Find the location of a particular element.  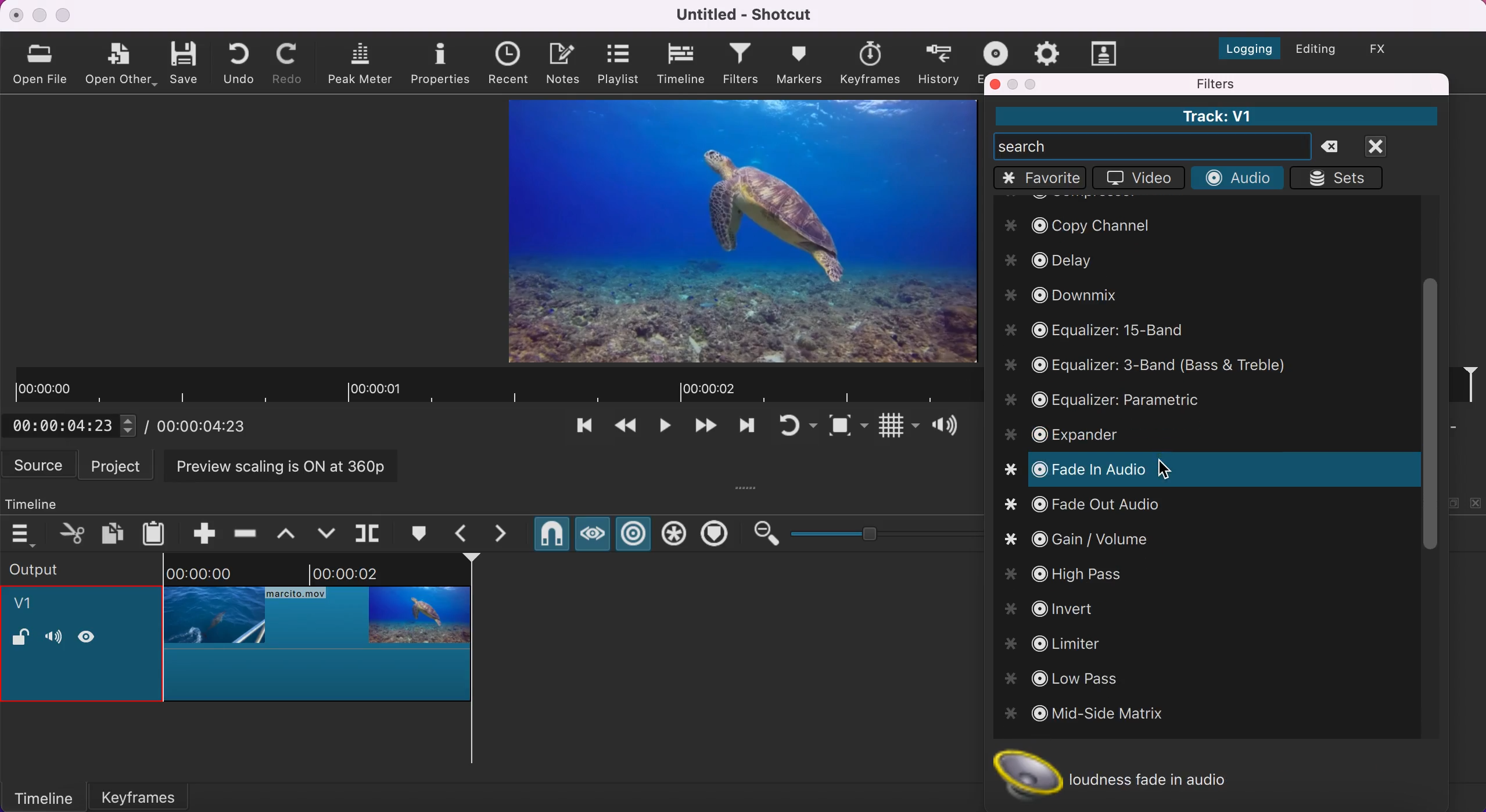

invert is located at coordinates (1066, 611).